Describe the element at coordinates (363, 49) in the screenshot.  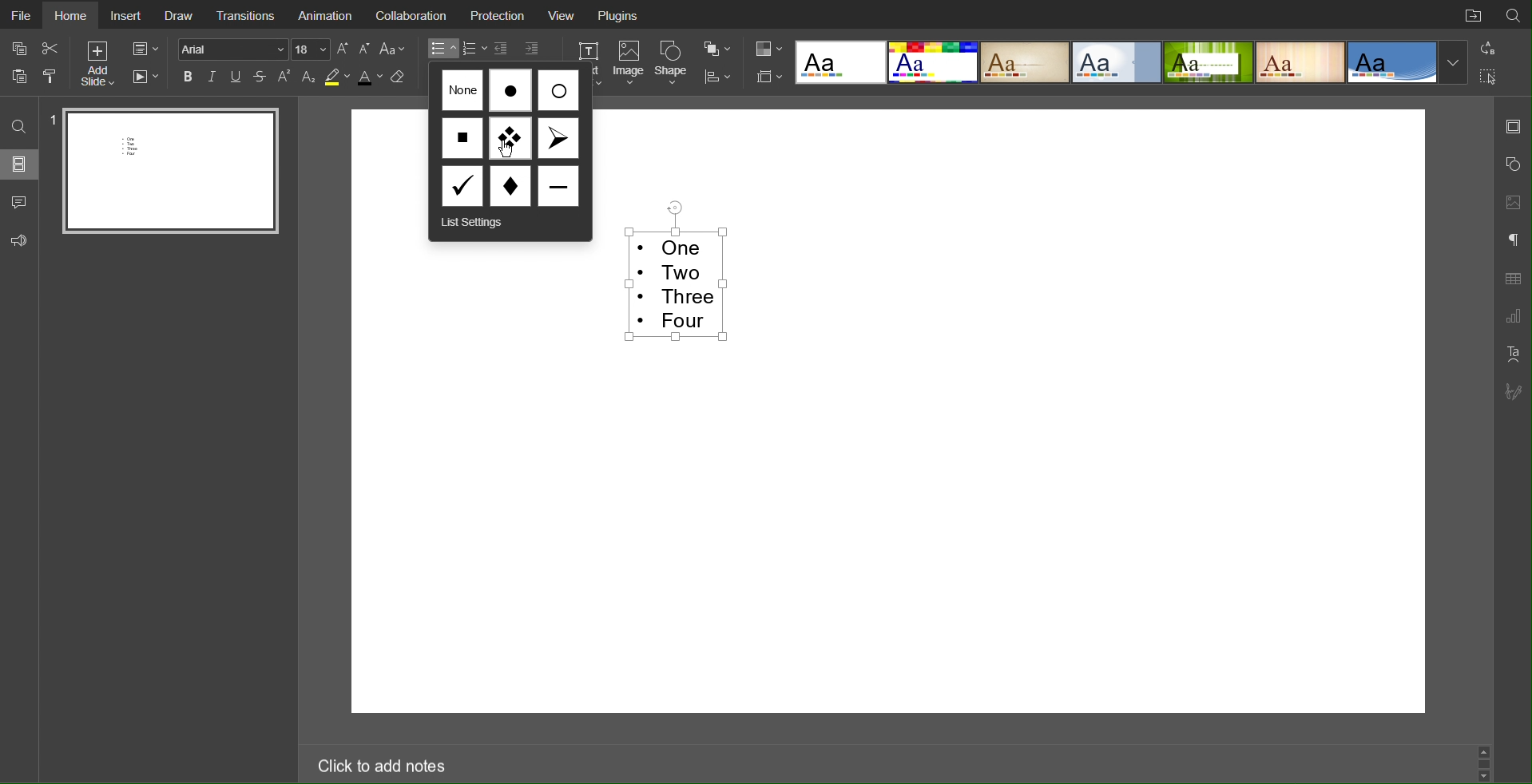
I see `Decrease Font` at that location.